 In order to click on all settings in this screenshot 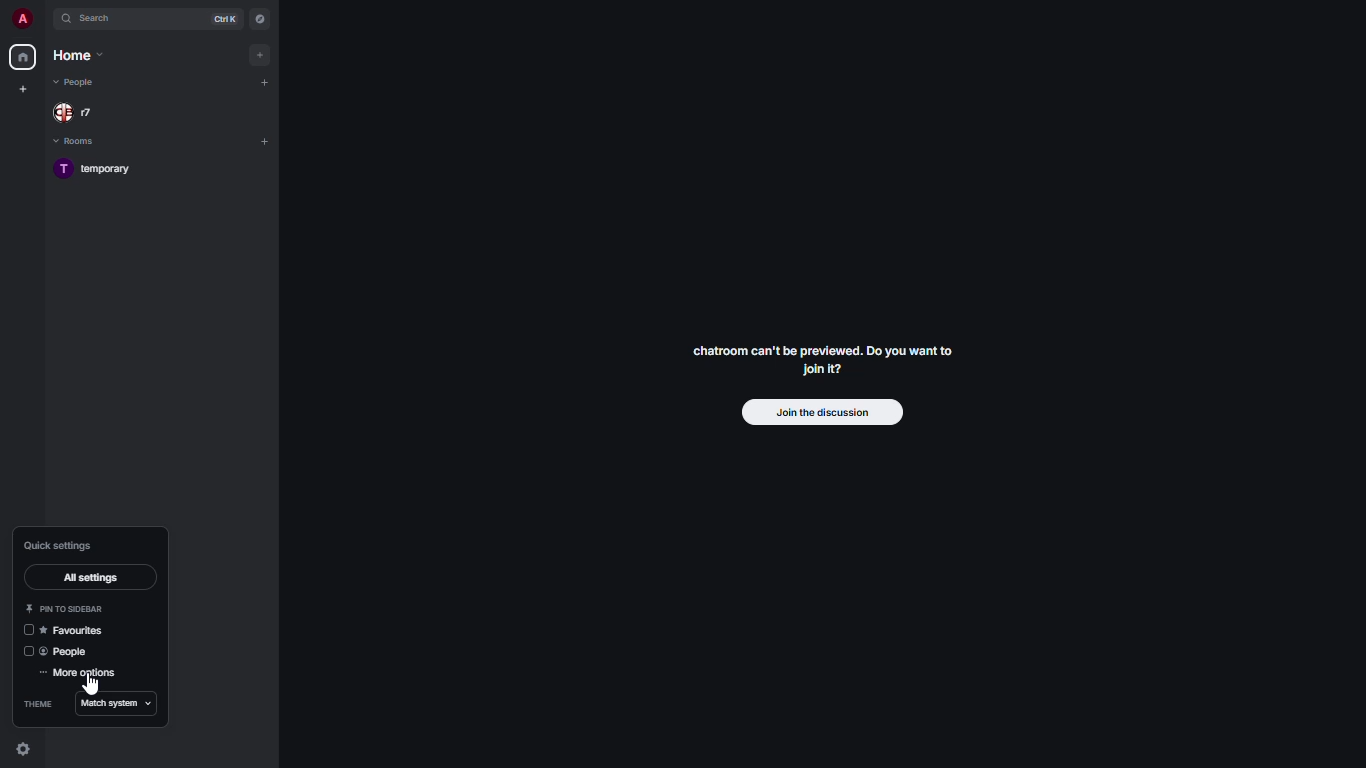, I will do `click(90, 575)`.